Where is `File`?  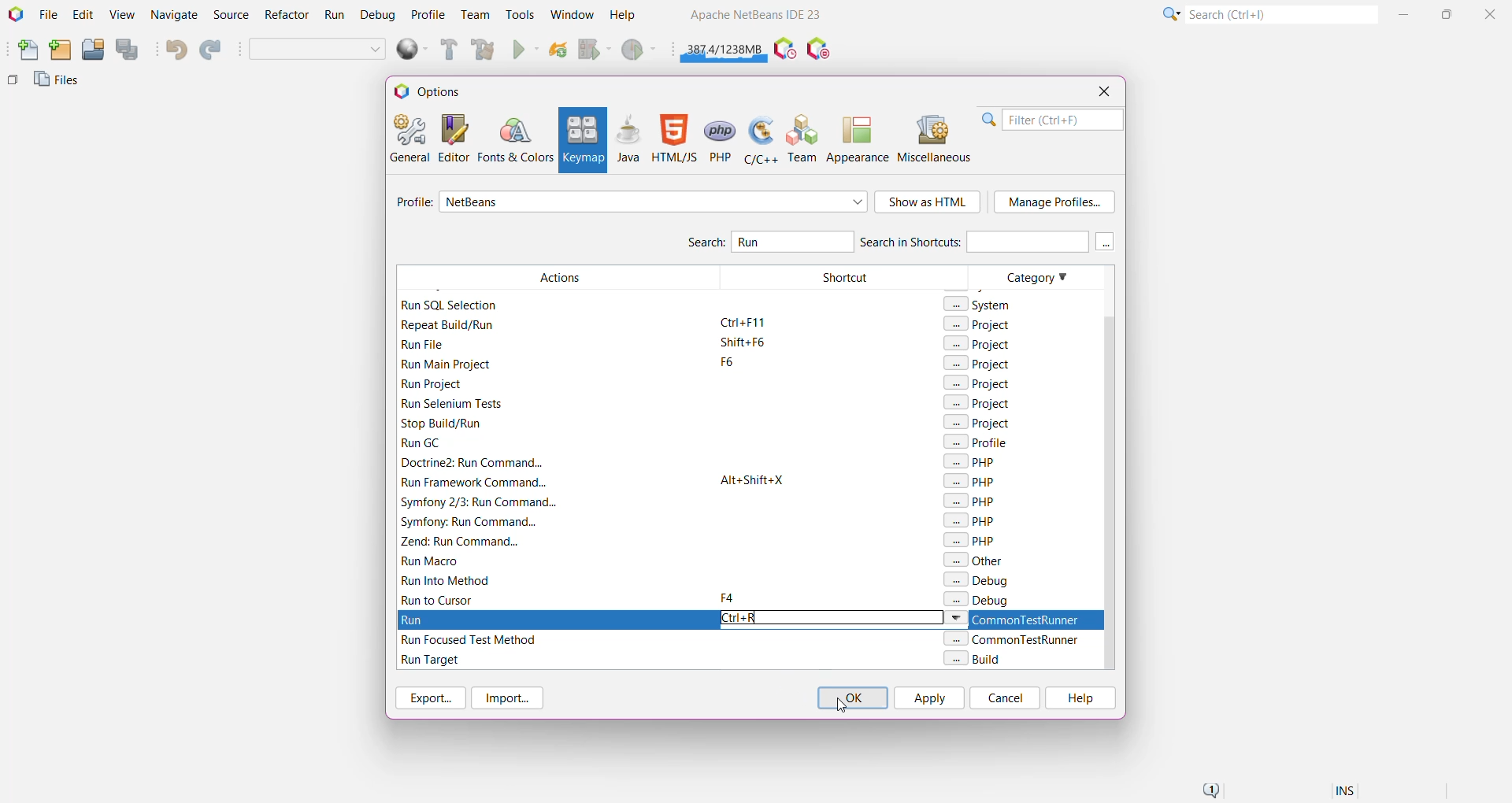
File is located at coordinates (48, 15).